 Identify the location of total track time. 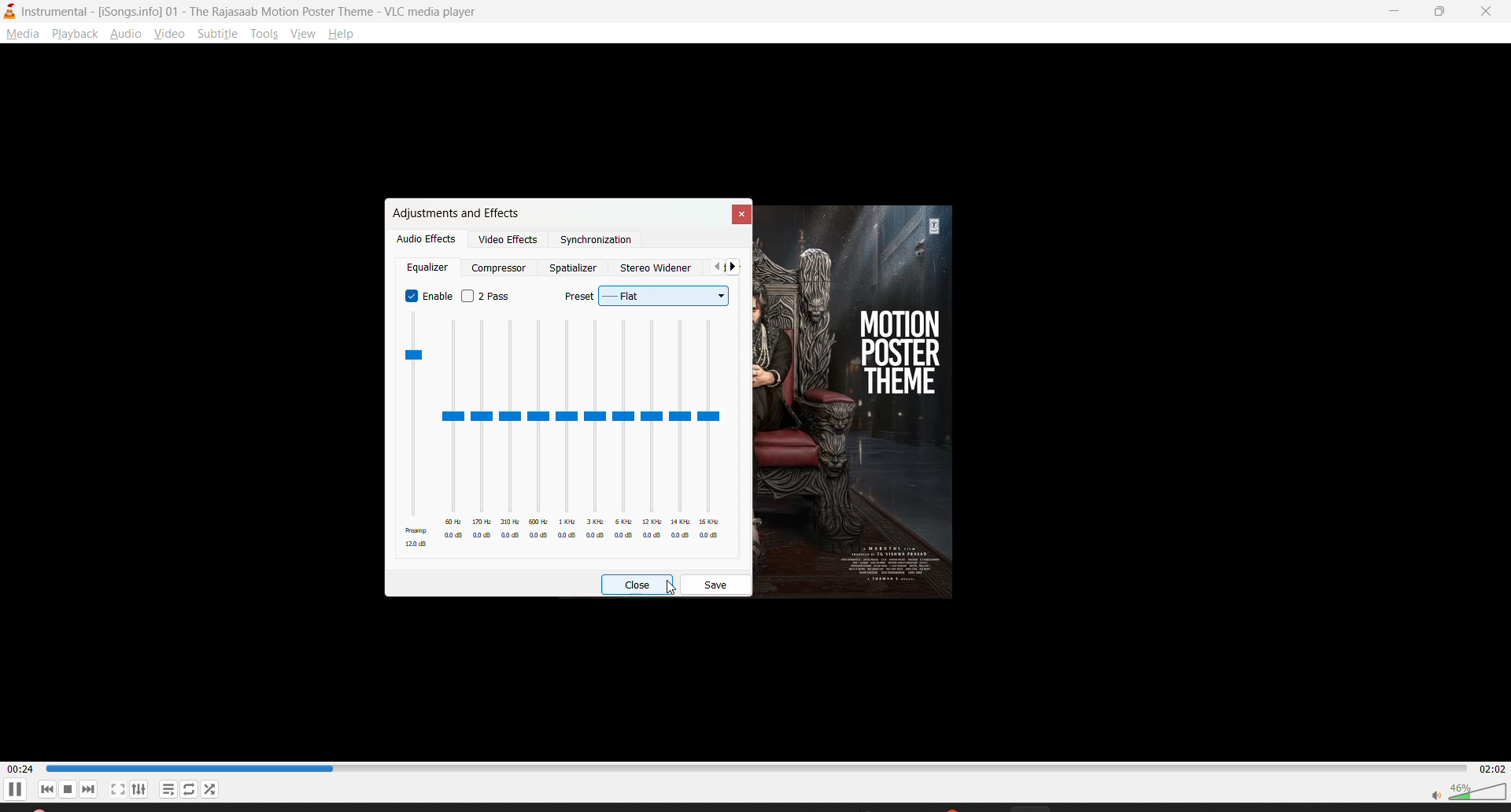
(1489, 767).